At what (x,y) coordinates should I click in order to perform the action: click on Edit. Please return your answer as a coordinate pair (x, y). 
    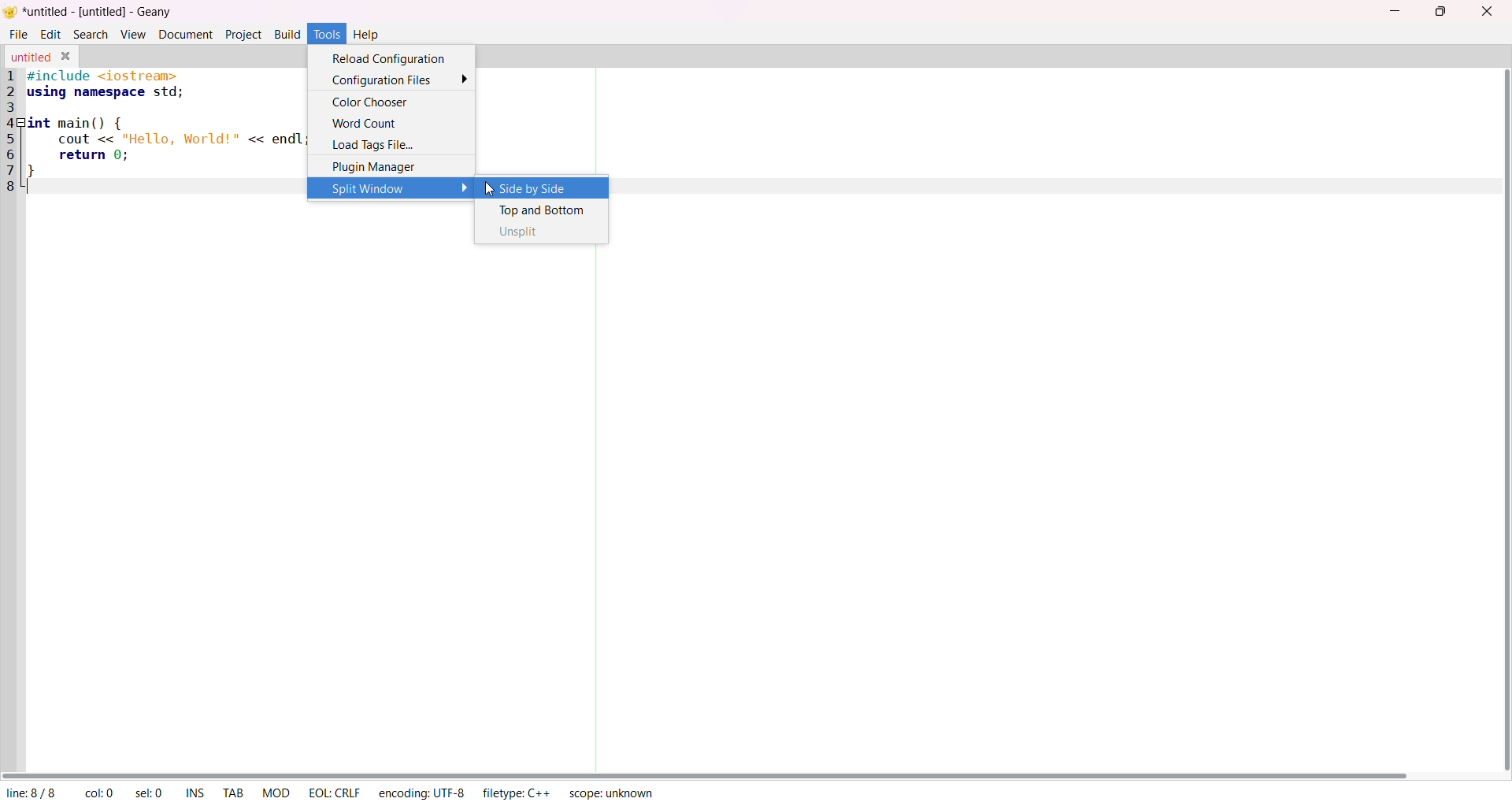
    Looking at the image, I should click on (49, 35).